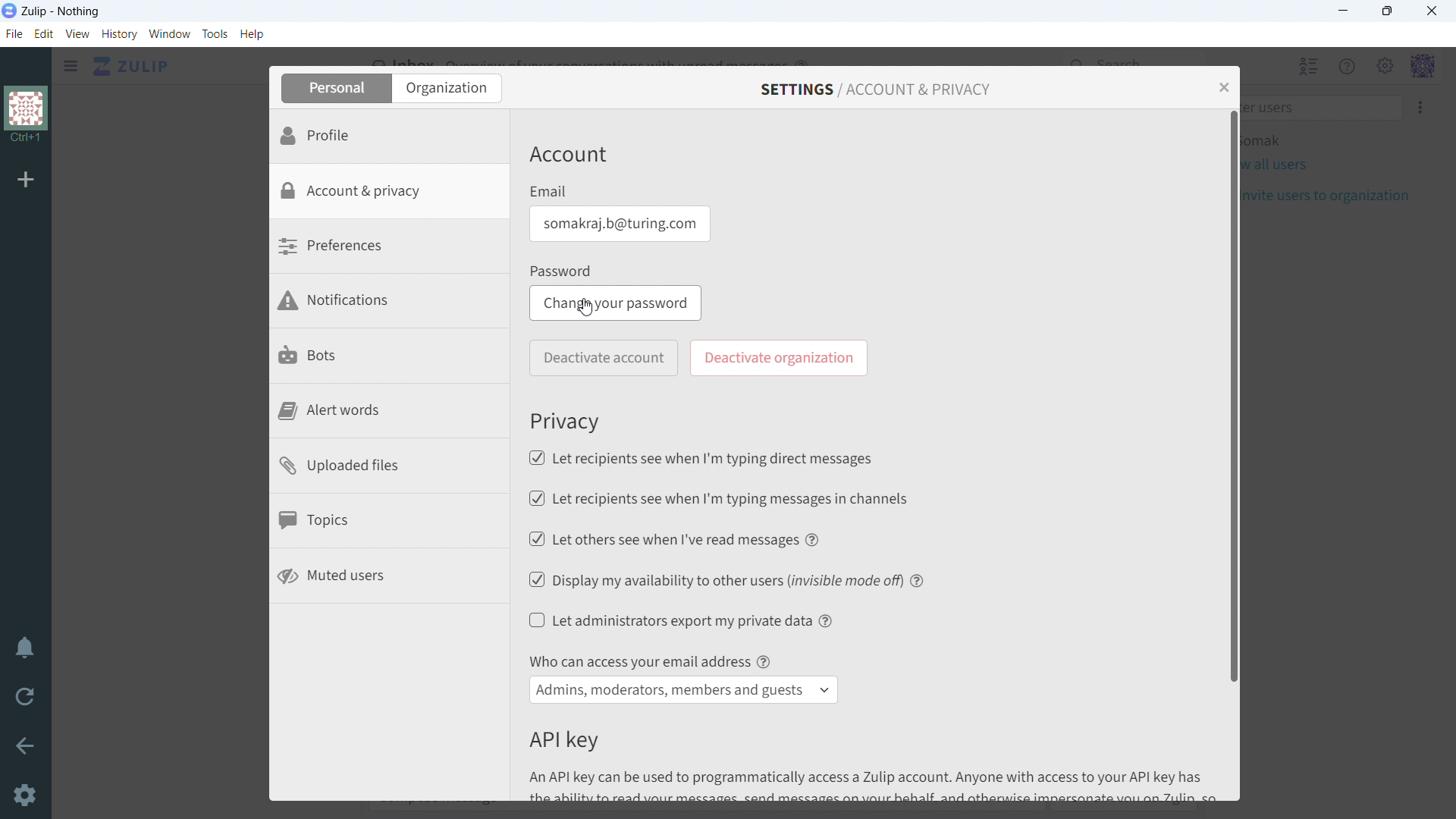  Describe the element at coordinates (566, 421) in the screenshot. I see `Privacy` at that location.